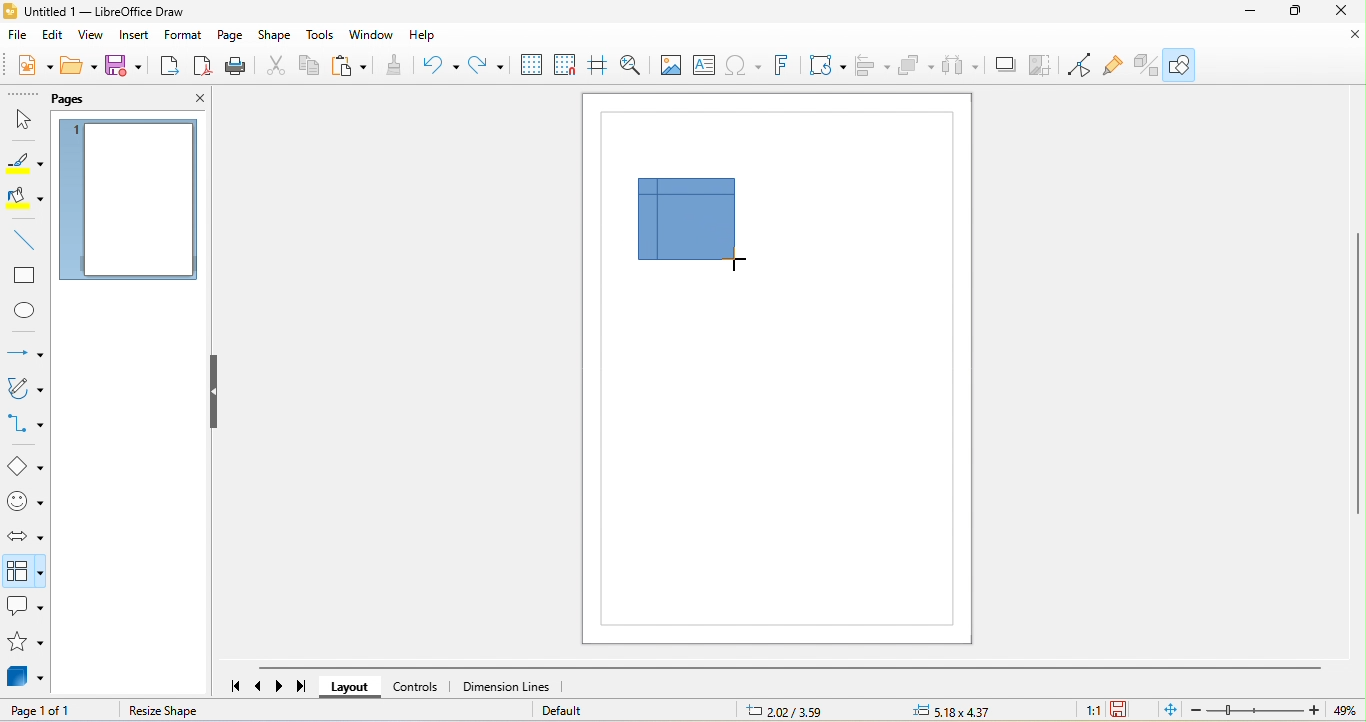 The width and height of the screenshot is (1366, 722). What do you see at coordinates (1148, 66) in the screenshot?
I see `toggle extrusion` at bounding box center [1148, 66].